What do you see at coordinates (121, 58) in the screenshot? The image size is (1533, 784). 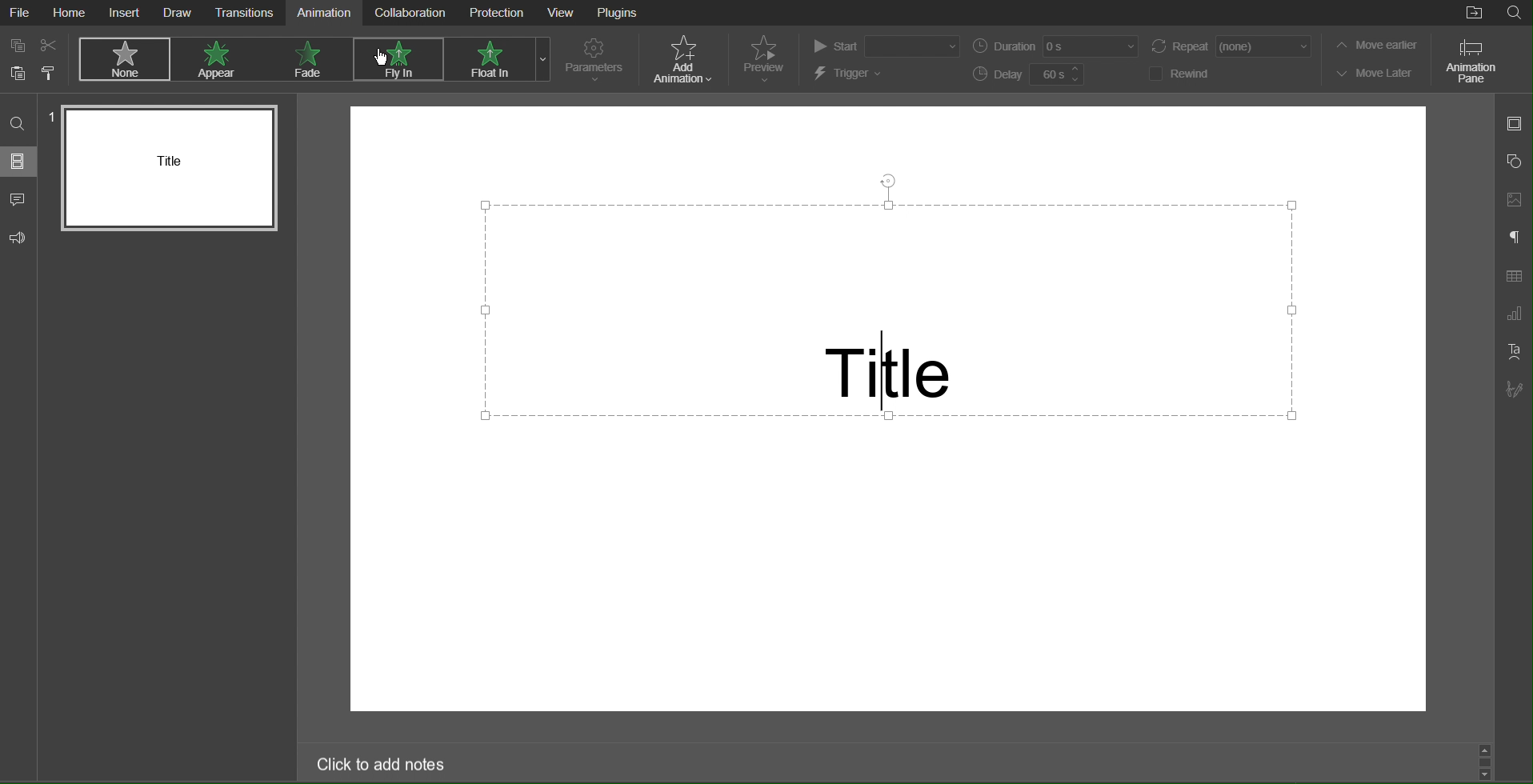 I see `None ` at bounding box center [121, 58].